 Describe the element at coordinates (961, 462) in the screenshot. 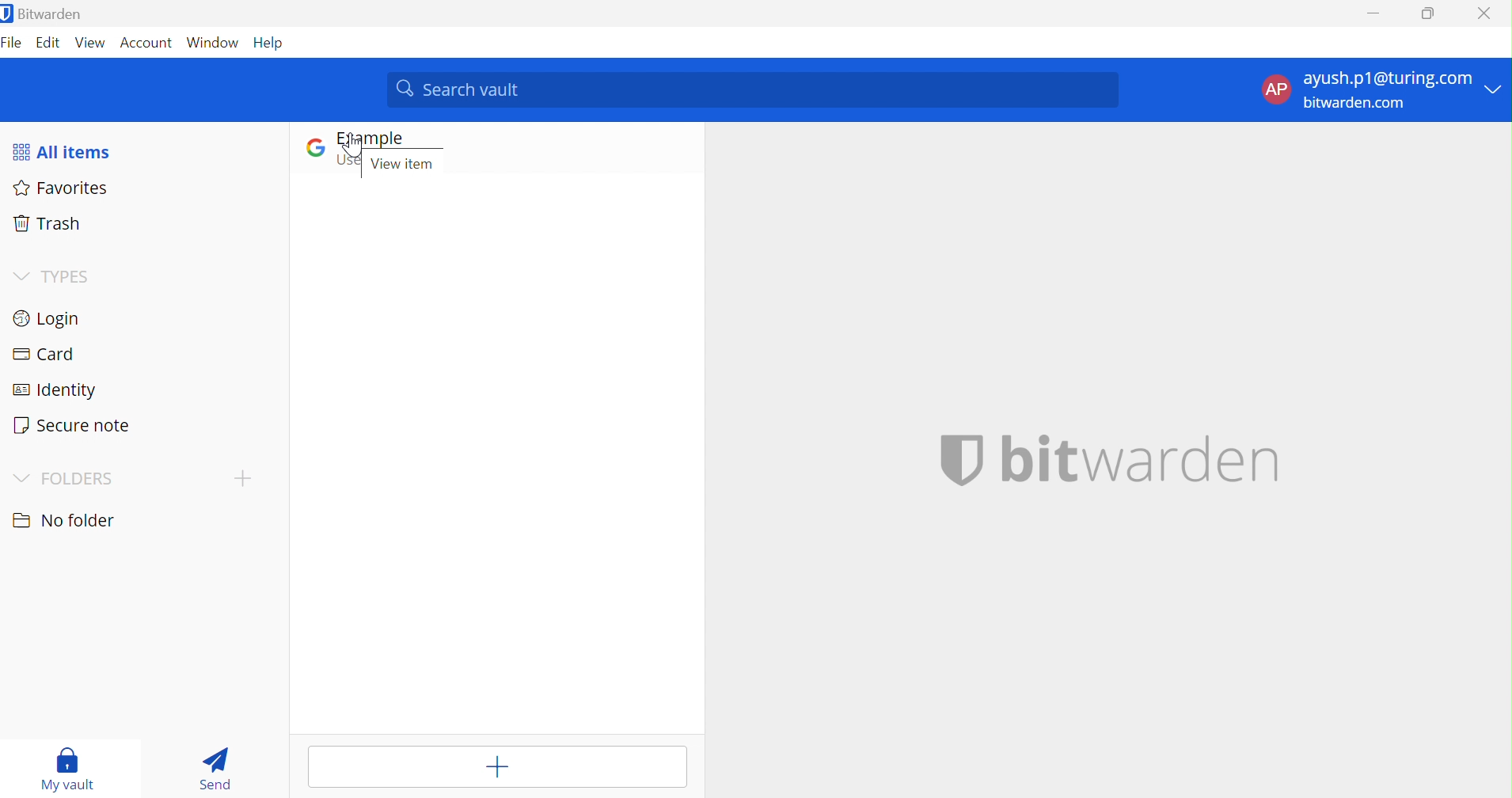

I see `BITWARDEN LOGO` at that location.